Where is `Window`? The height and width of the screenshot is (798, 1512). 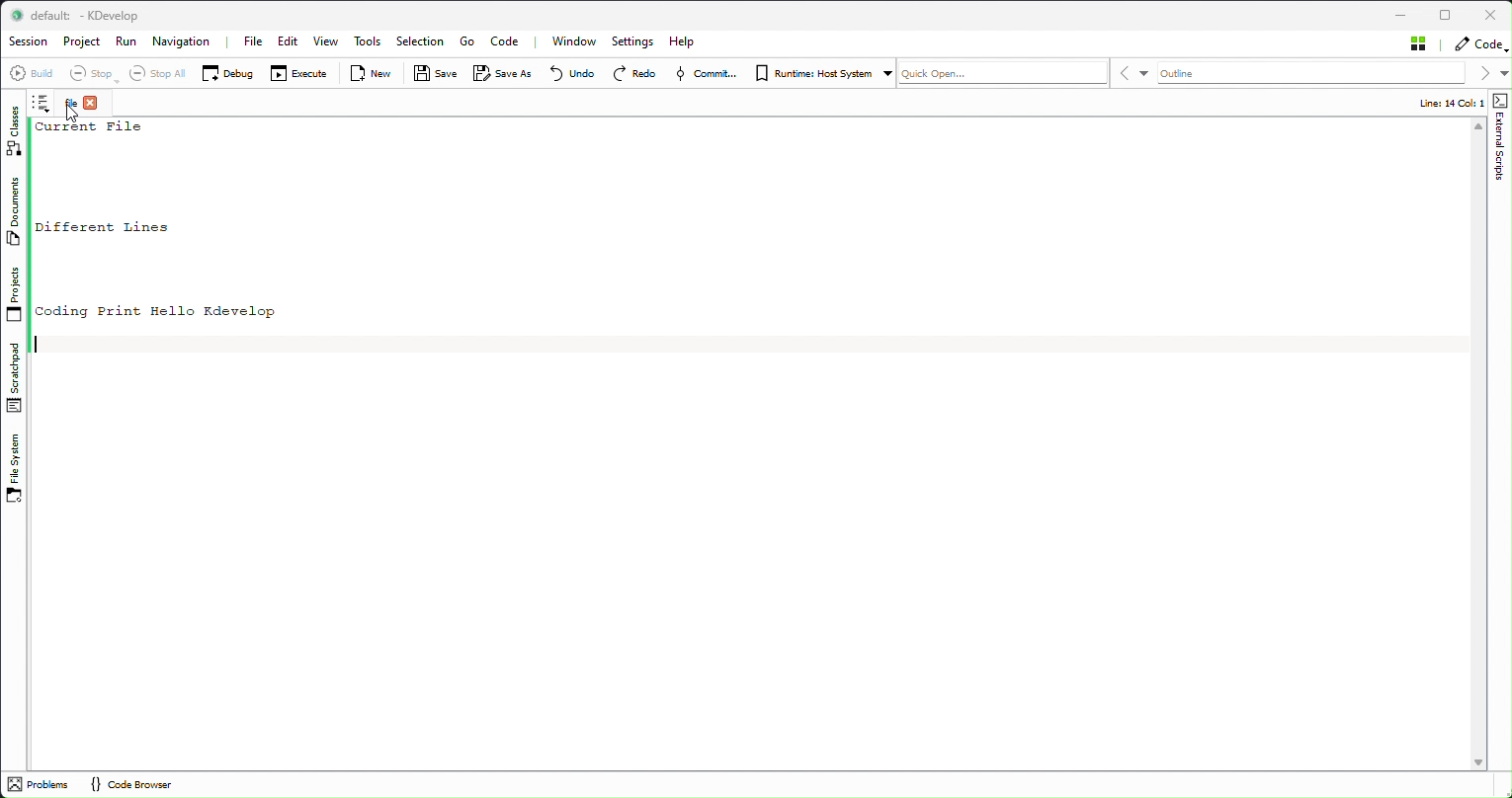
Window is located at coordinates (570, 41).